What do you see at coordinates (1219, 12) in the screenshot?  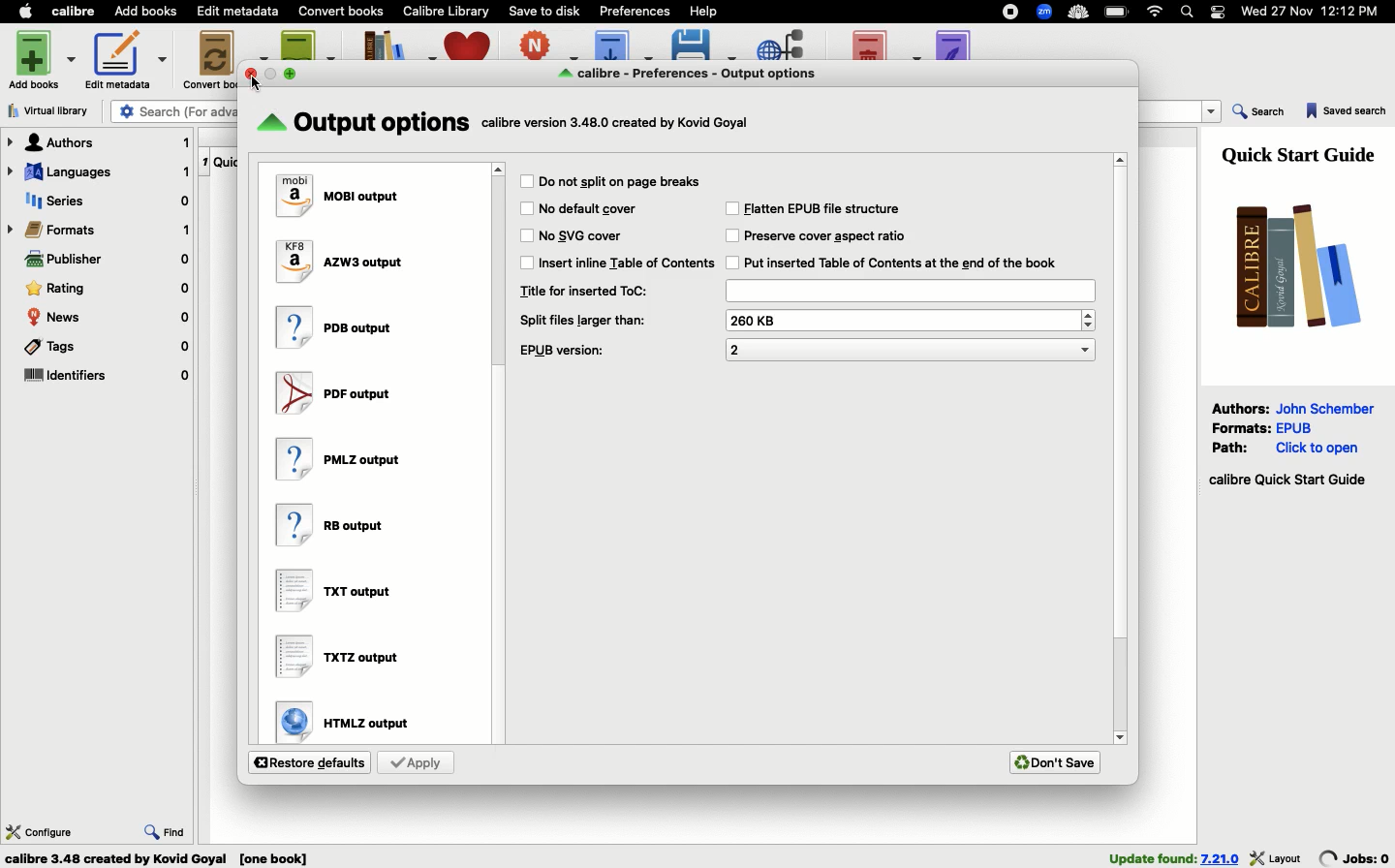 I see `Notification` at bounding box center [1219, 12].